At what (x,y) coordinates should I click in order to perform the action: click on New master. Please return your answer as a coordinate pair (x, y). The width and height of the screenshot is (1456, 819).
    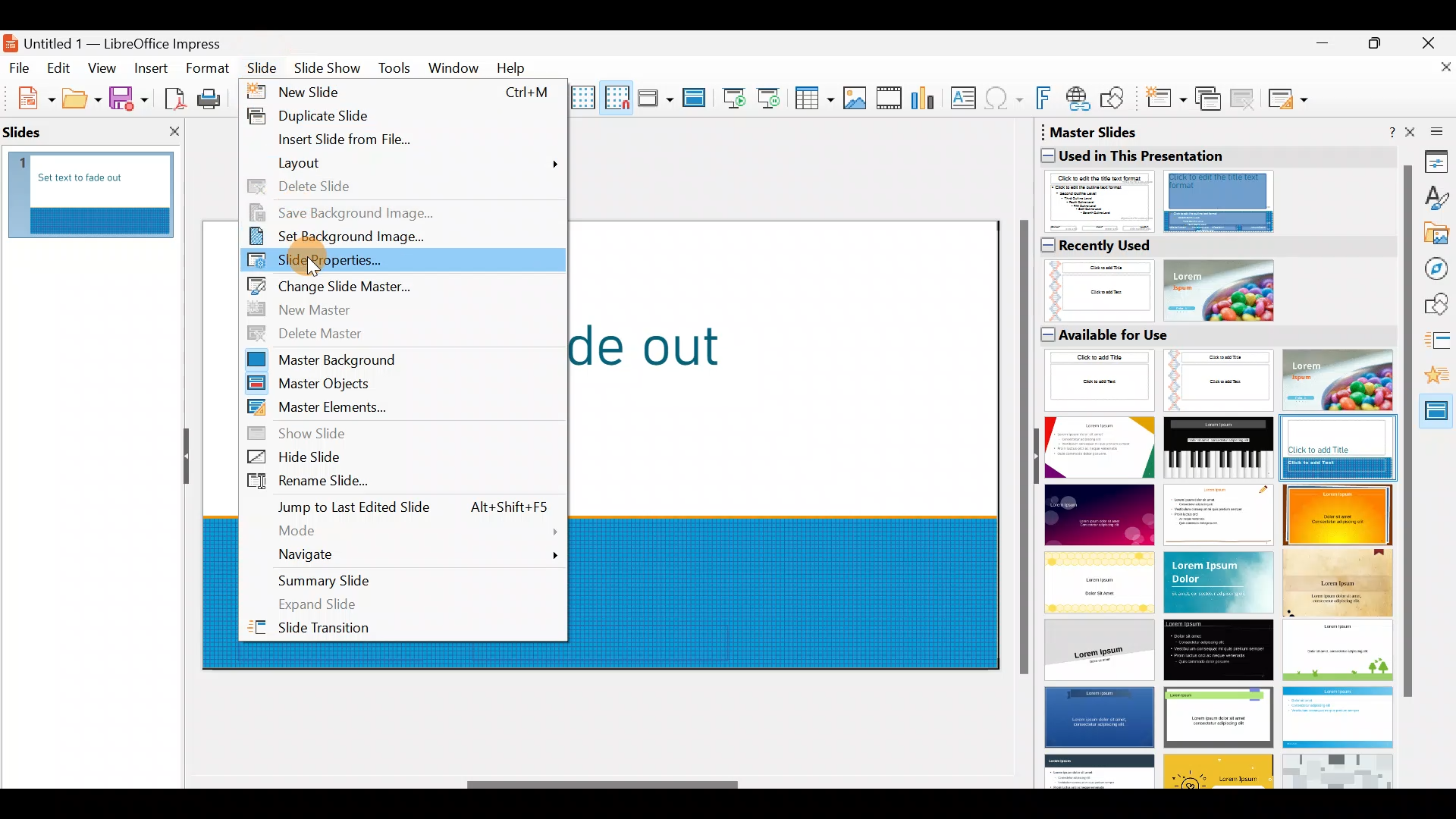
    Looking at the image, I should click on (388, 307).